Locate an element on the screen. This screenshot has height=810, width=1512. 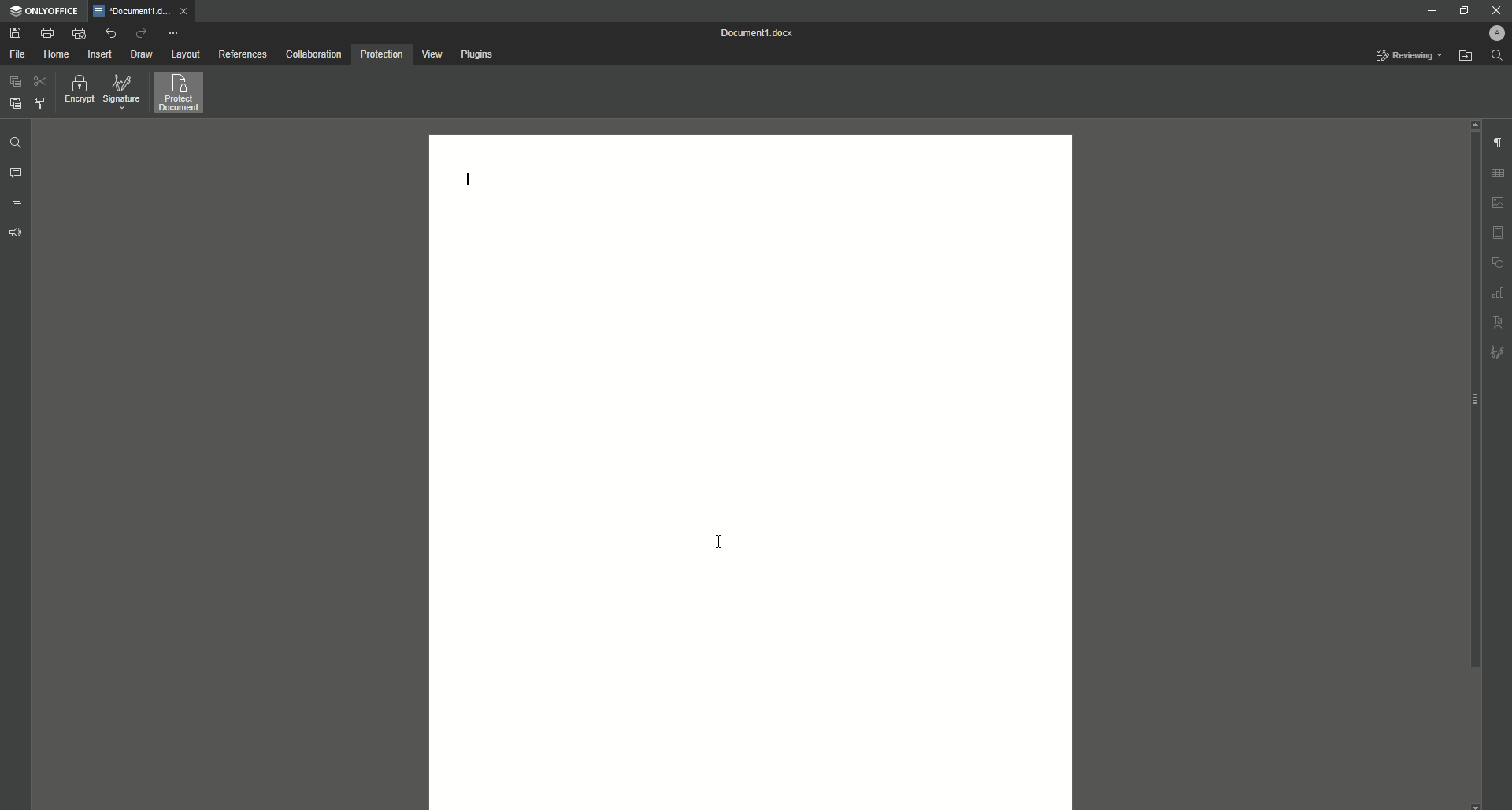
Print is located at coordinates (45, 33).